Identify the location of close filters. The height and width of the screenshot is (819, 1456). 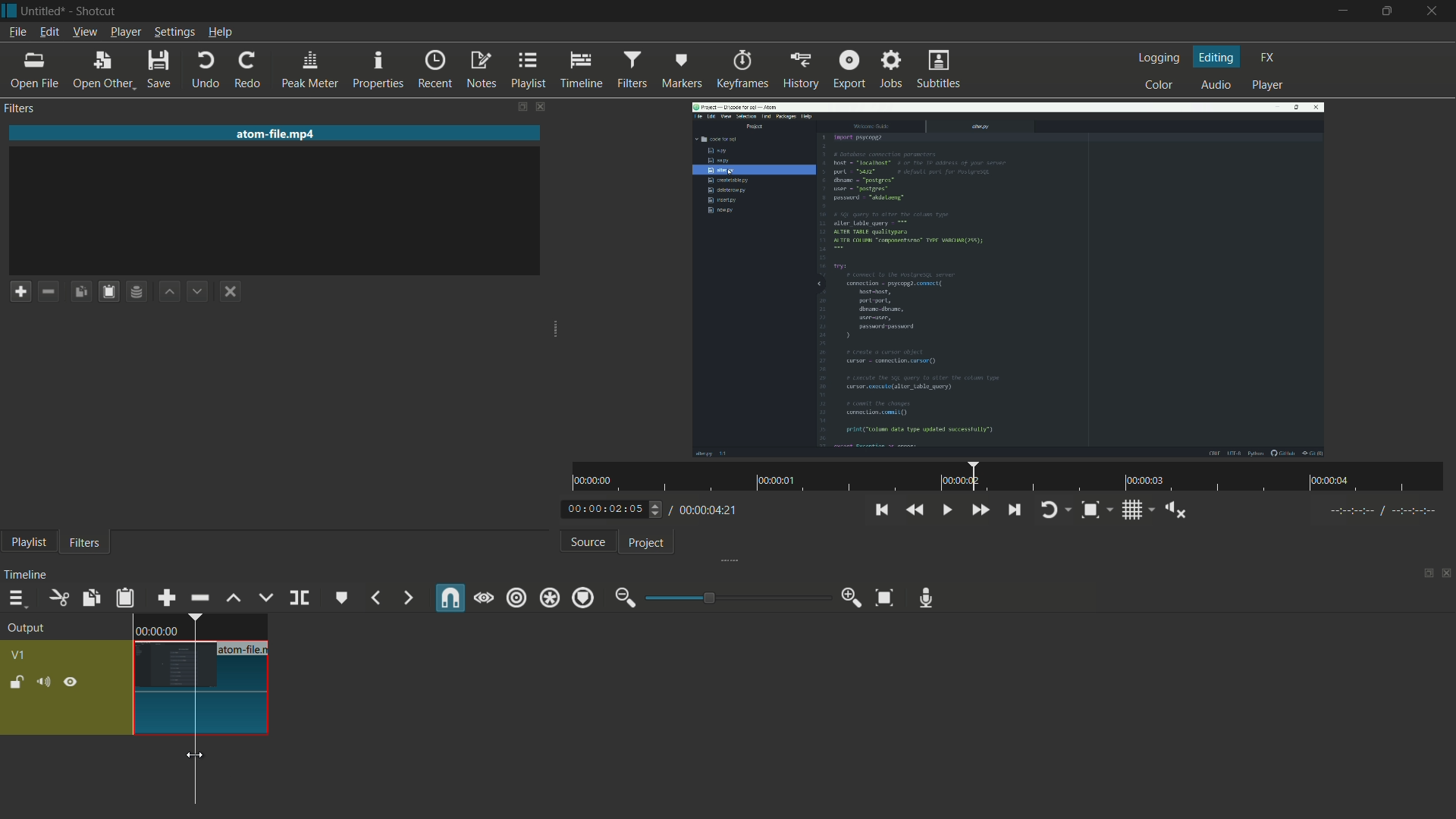
(540, 107).